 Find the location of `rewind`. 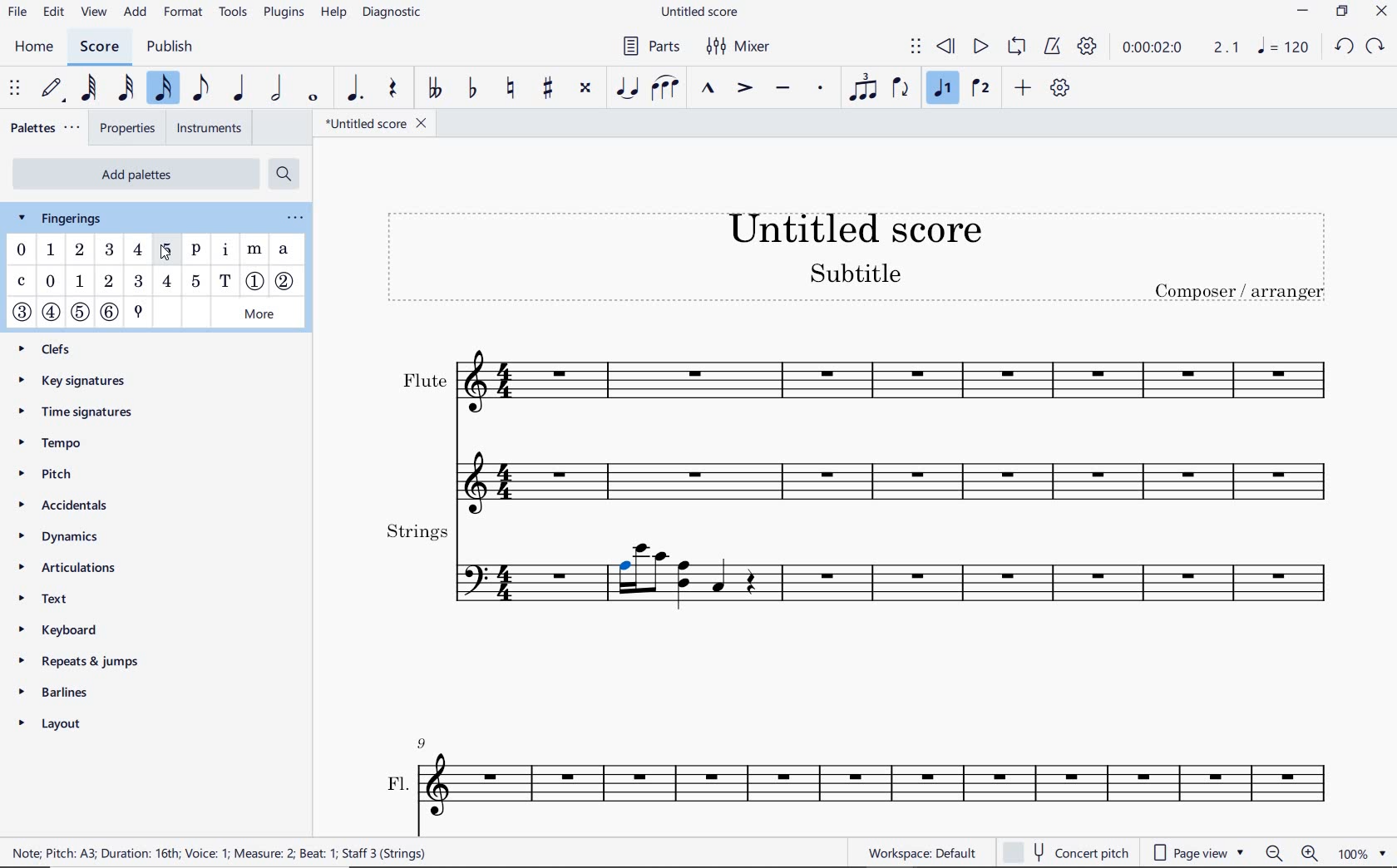

rewind is located at coordinates (946, 45).